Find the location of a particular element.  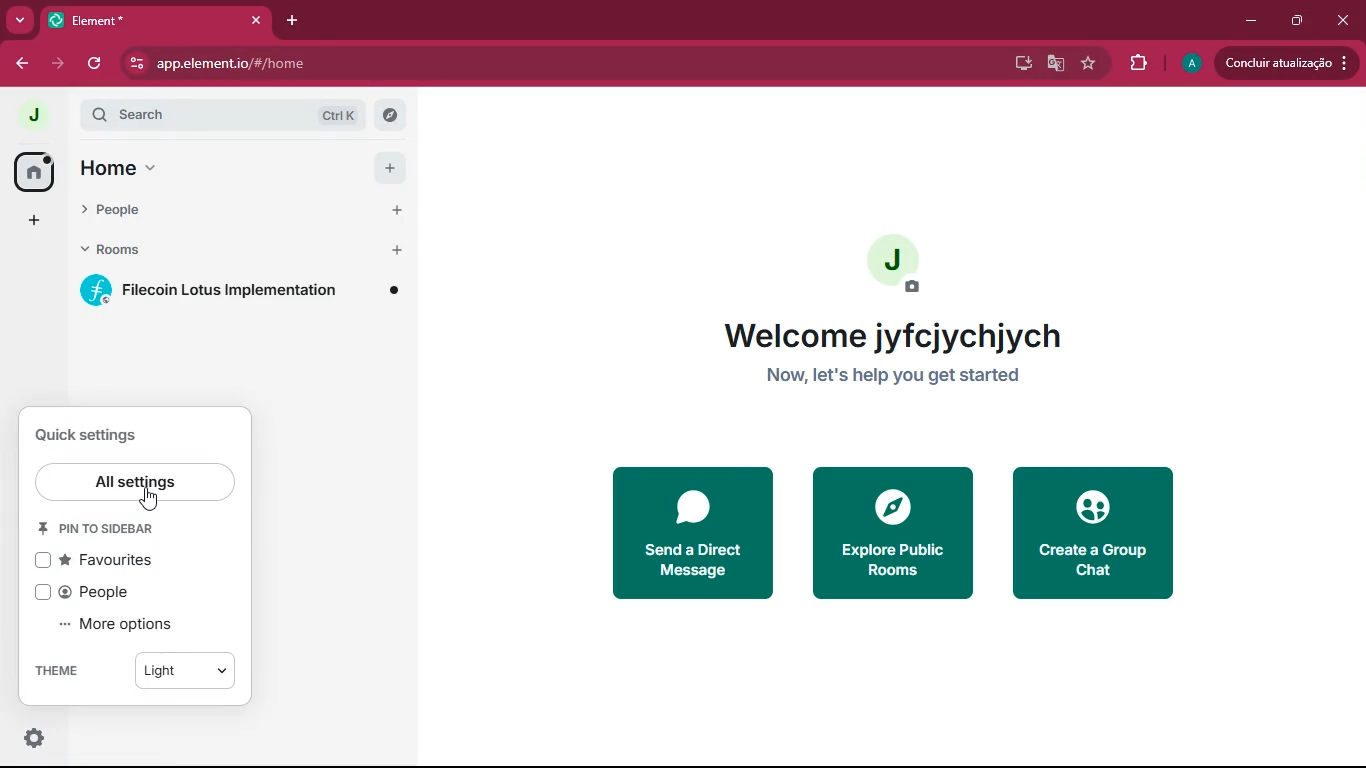

back is located at coordinates (19, 63).